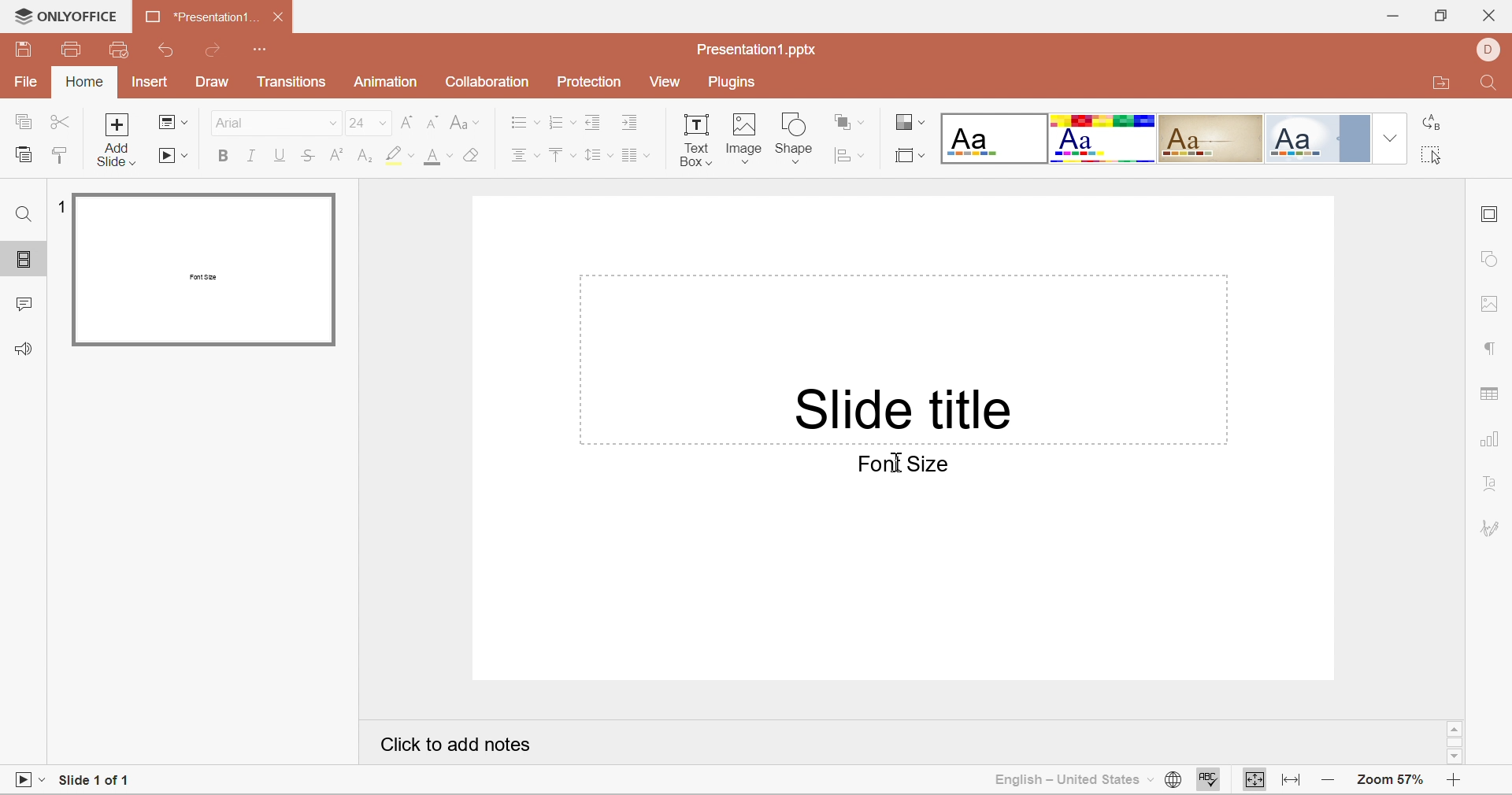 The height and width of the screenshot is (795, 1512). I want to click on Change color theme, so click(908, 121).